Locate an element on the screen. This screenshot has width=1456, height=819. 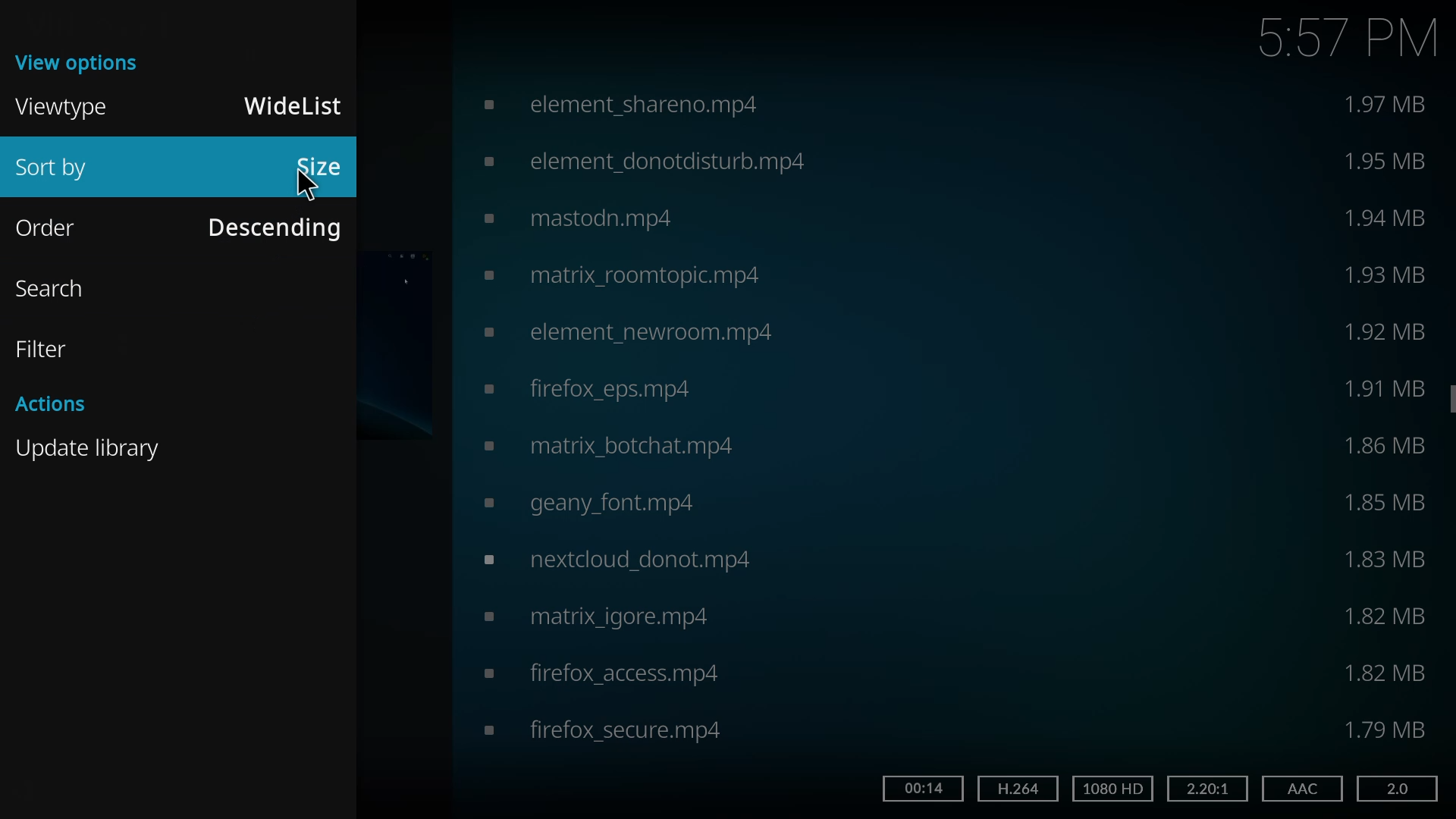
view options is located at coordinates (82, 61).